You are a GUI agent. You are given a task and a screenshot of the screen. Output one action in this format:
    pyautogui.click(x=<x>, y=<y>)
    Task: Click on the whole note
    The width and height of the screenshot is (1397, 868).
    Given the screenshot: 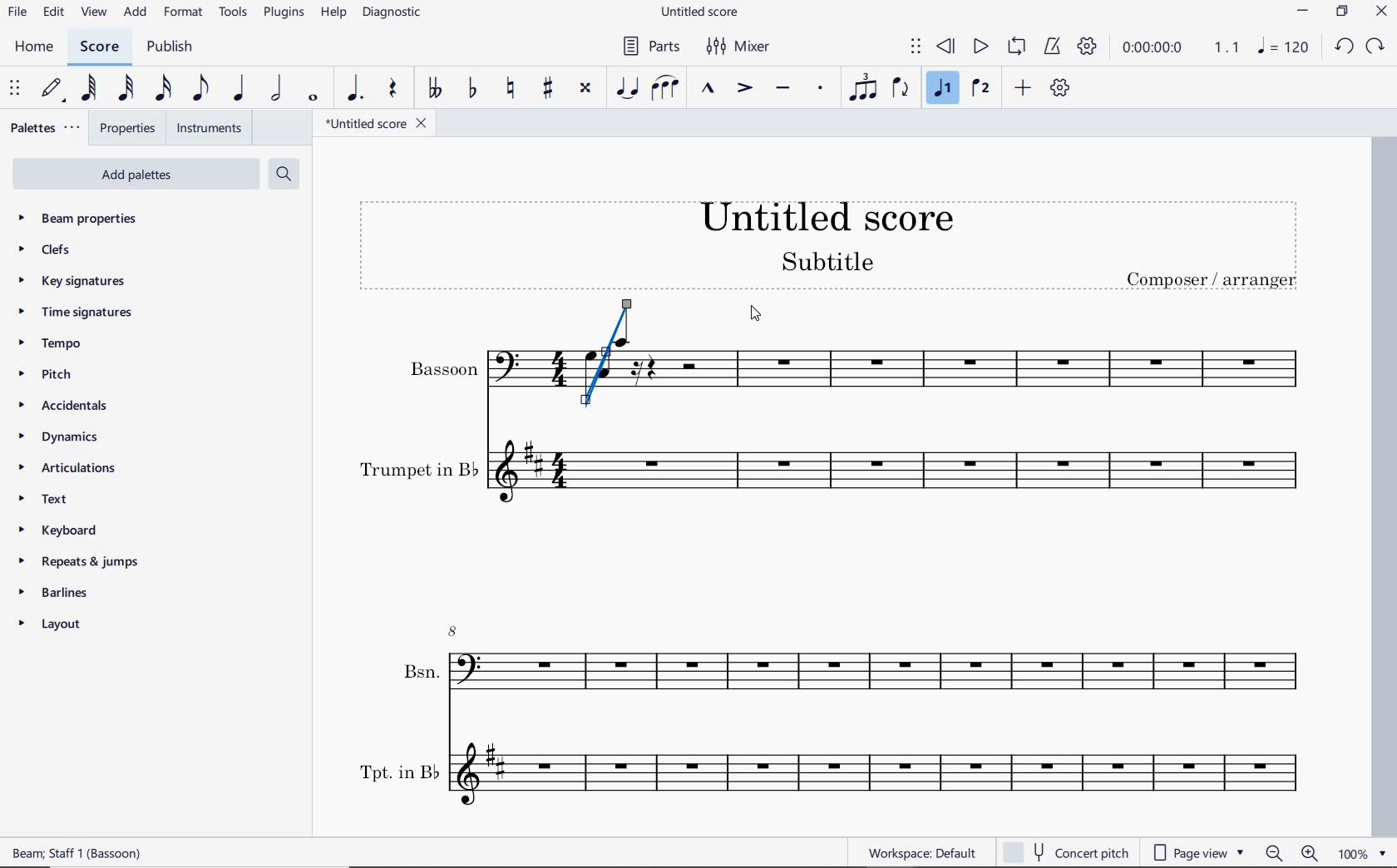 What is the action you would take?
    pyautogui.click(x=311, y=98)
    